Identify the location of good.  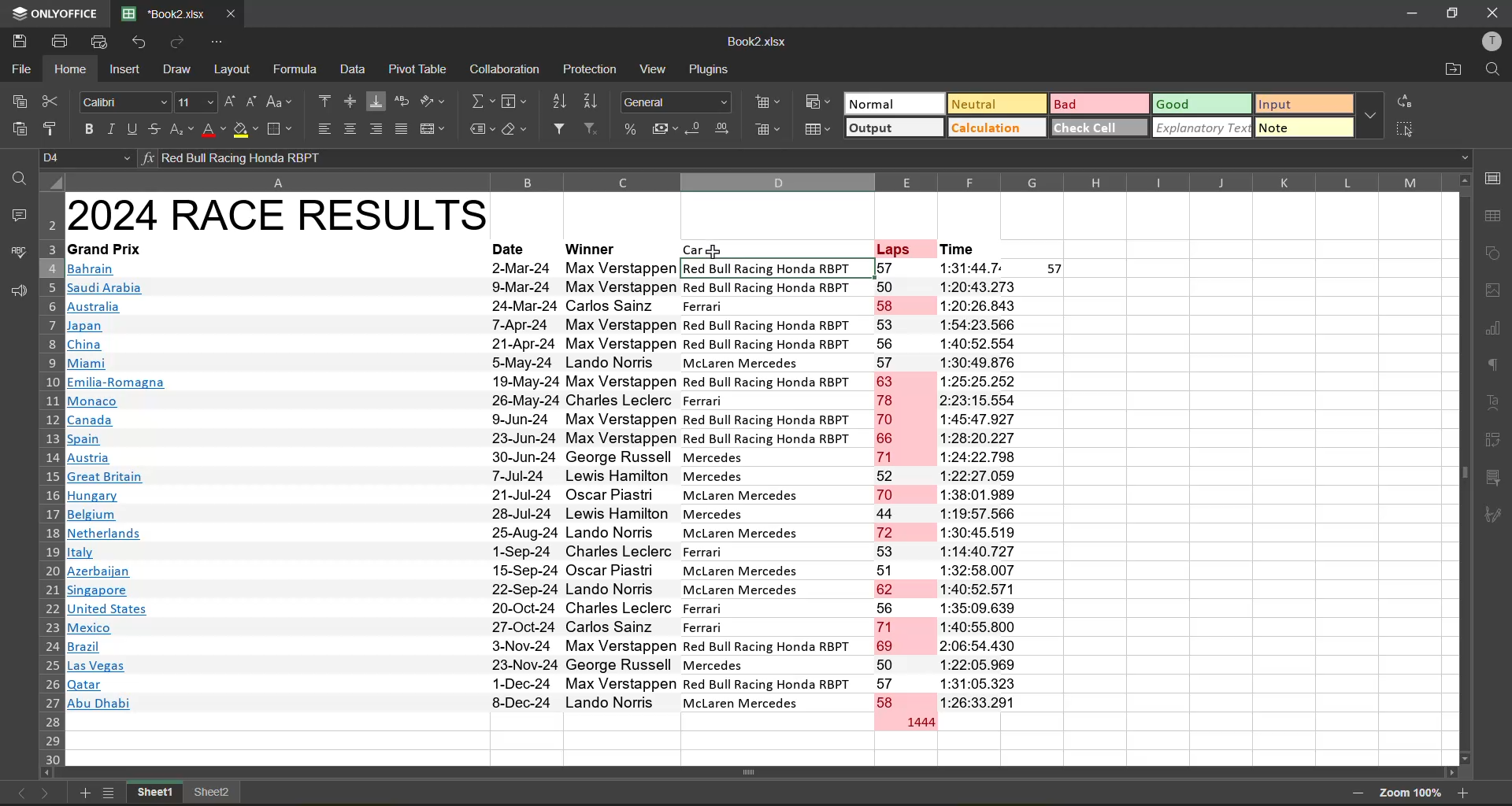
(1201, 104).